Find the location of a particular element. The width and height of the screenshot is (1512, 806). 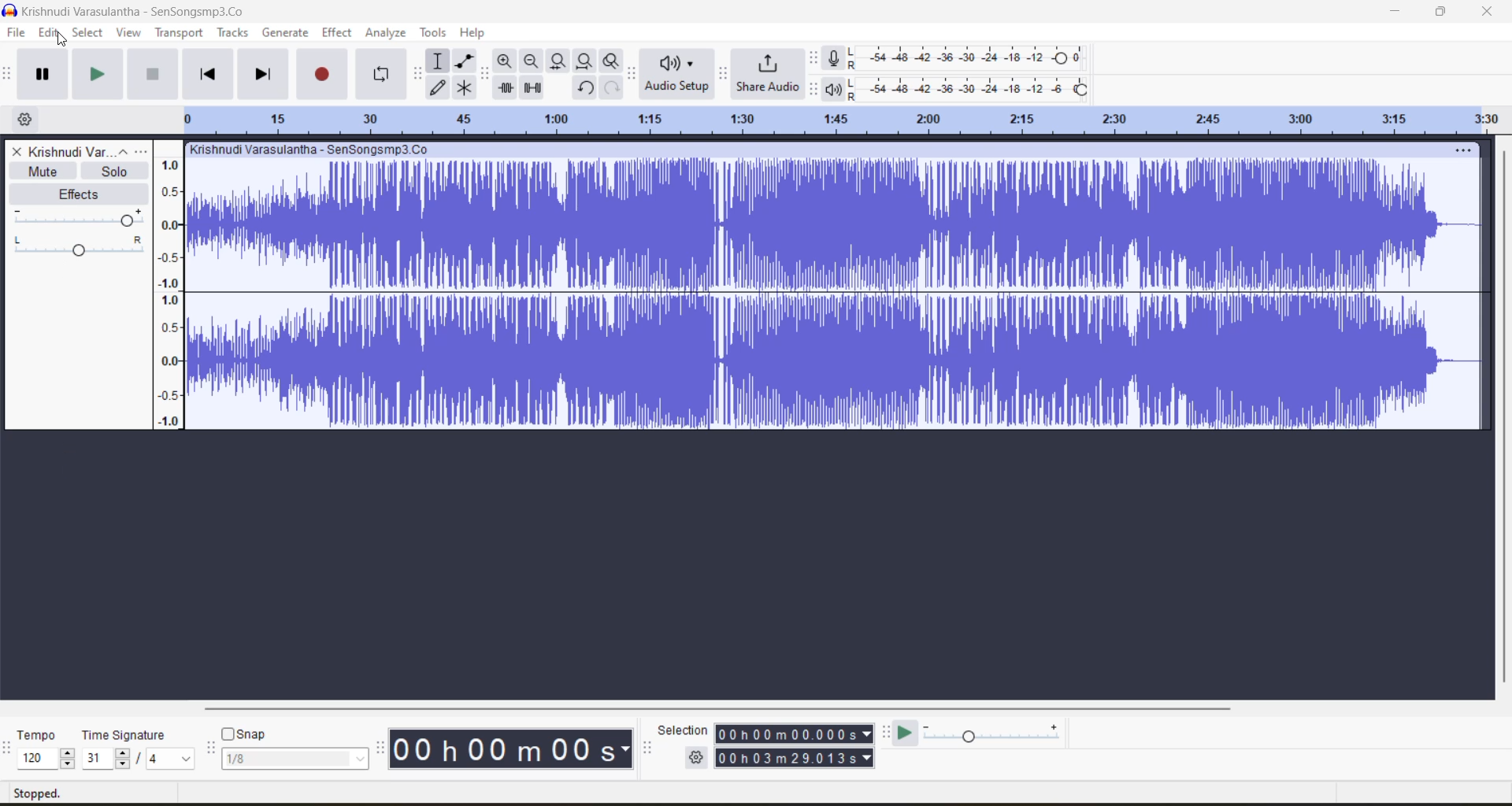

transport is located at coordinates (177, 31).